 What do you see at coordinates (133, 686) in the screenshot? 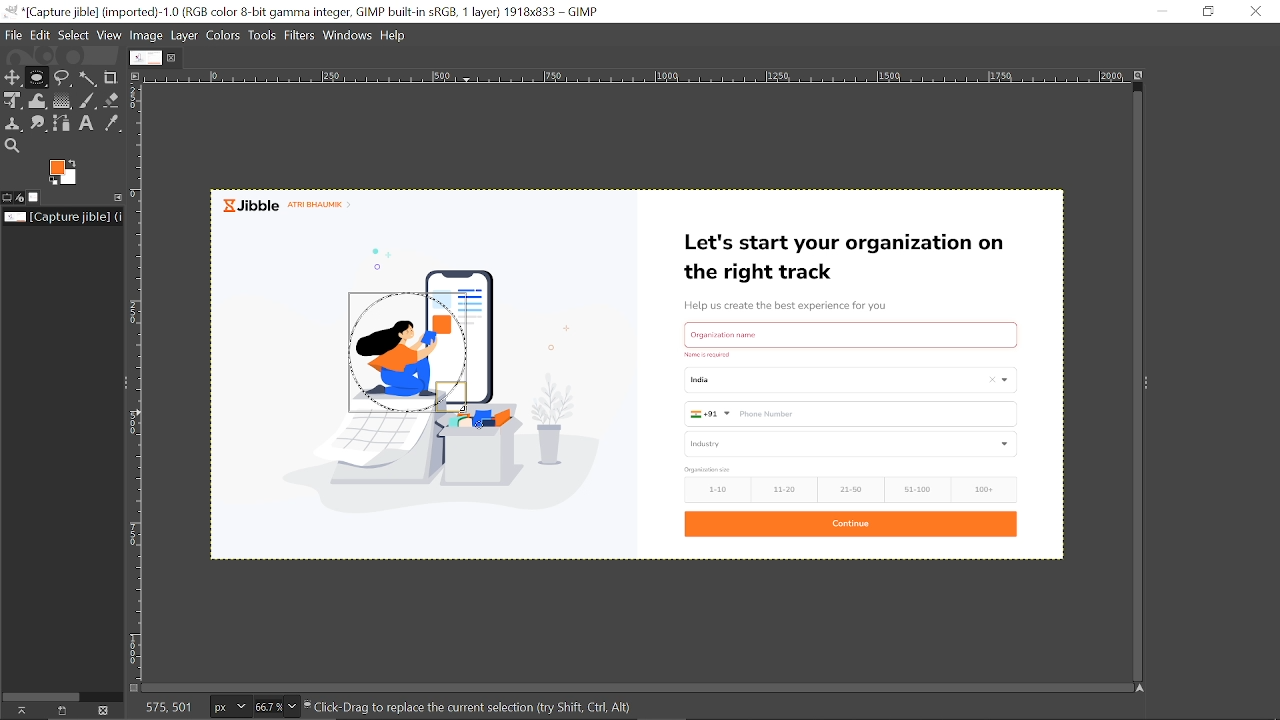
I see `Toggle quick mask on/off` at bounding box center [133, 686].